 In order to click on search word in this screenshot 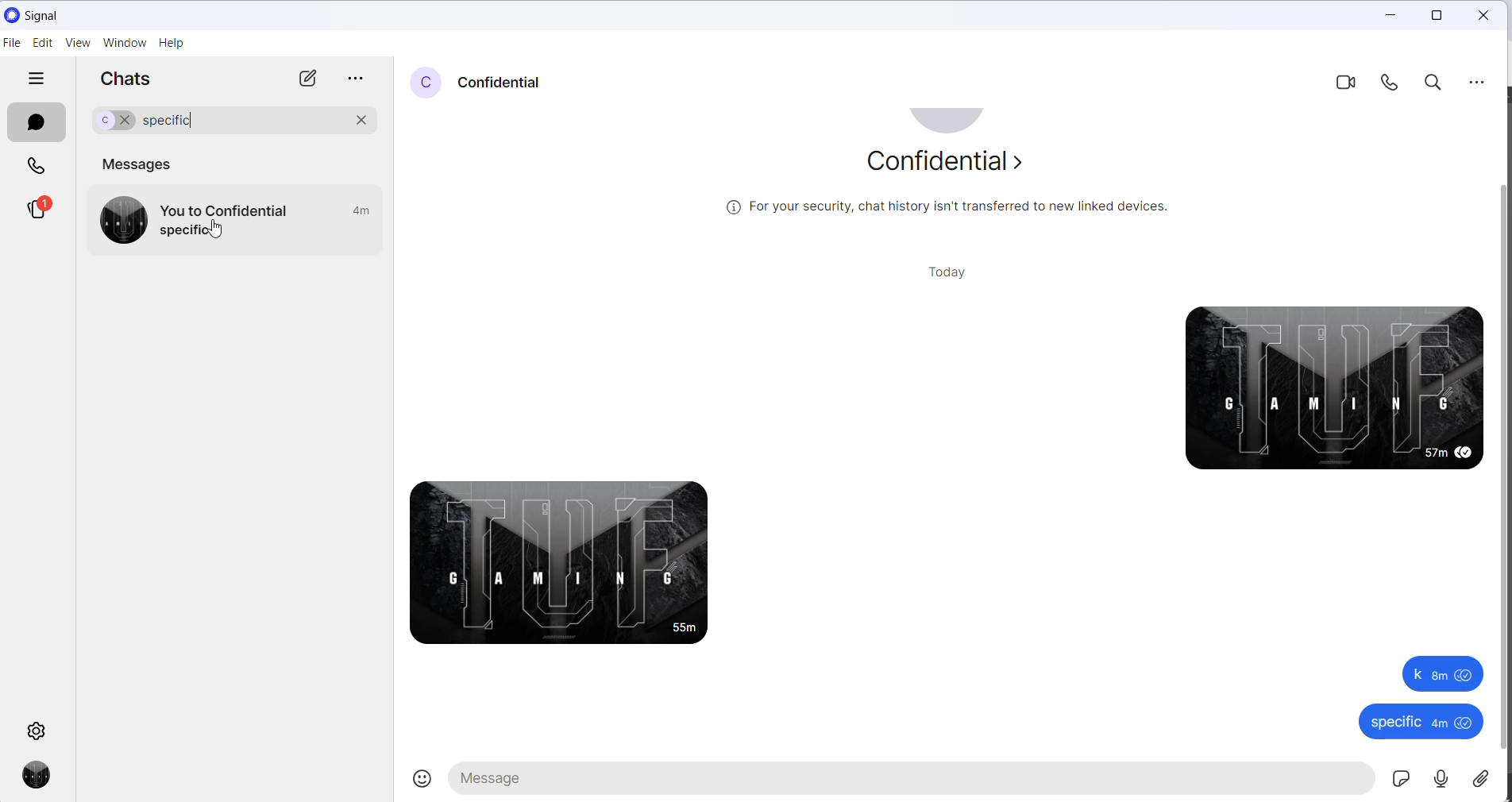, I will do `click(178, 122)`.